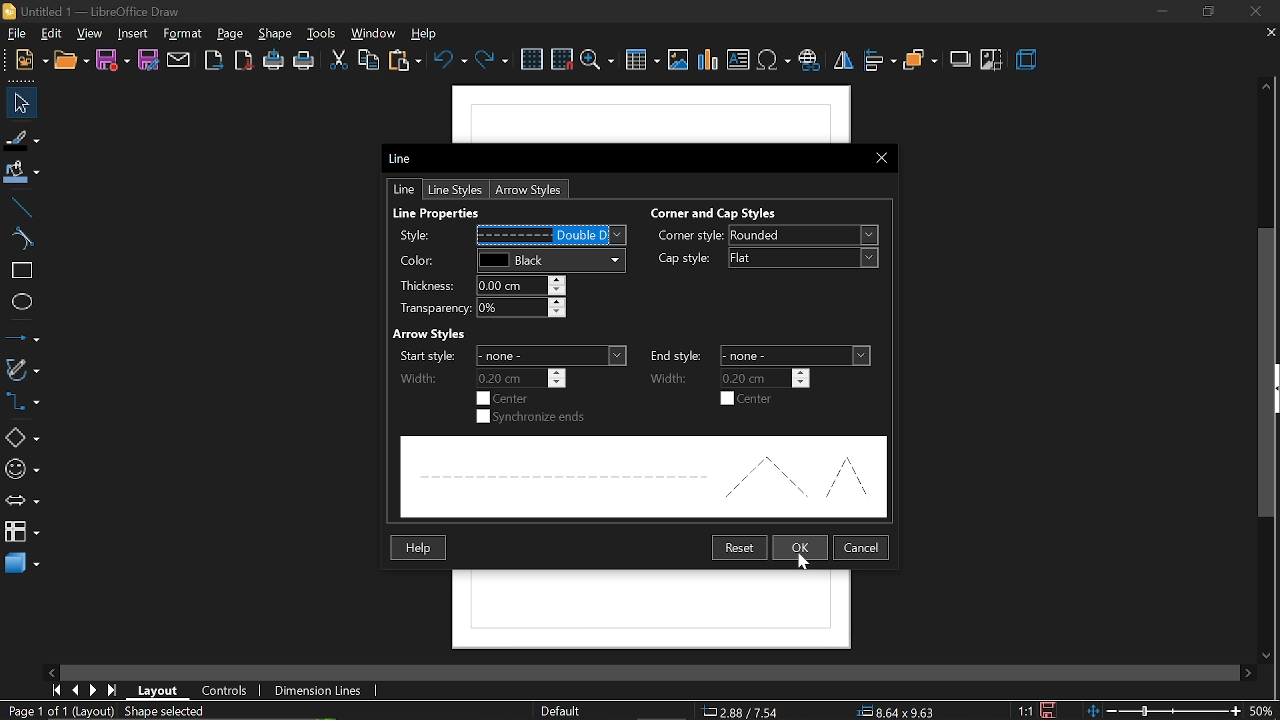 This screenshot has width=1280, height=720. Describe the element at coordinates (371, 33) in the screenshot. I see `window` at that location.